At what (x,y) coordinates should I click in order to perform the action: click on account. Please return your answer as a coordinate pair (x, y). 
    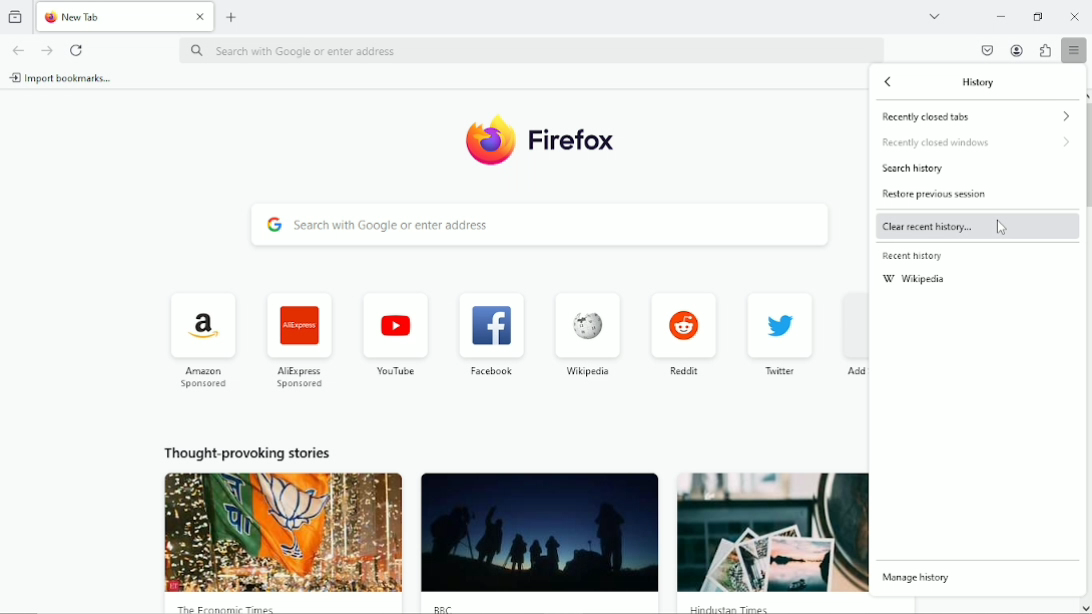
    Looking at the image, I should click on (1014, 50).